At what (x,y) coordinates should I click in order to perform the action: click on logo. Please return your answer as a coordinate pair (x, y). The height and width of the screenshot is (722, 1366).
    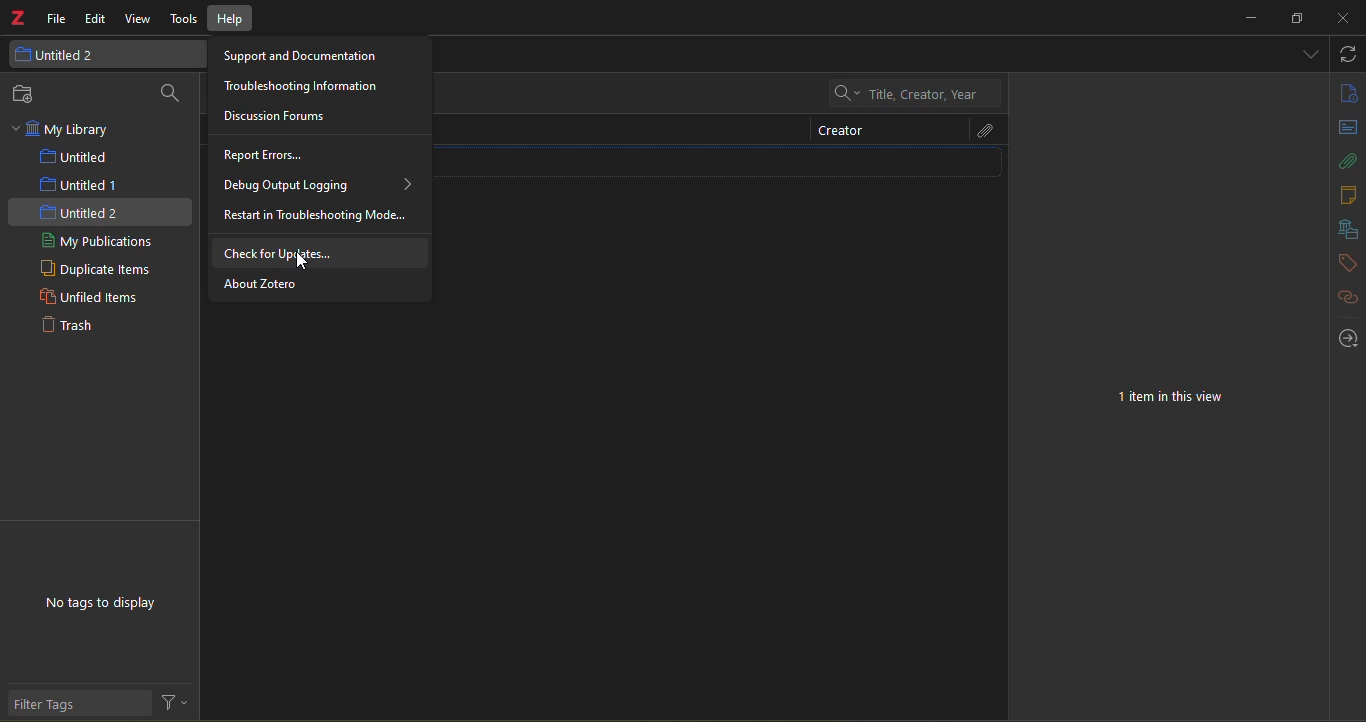
    Looking at the image, I should click on (18, 17).